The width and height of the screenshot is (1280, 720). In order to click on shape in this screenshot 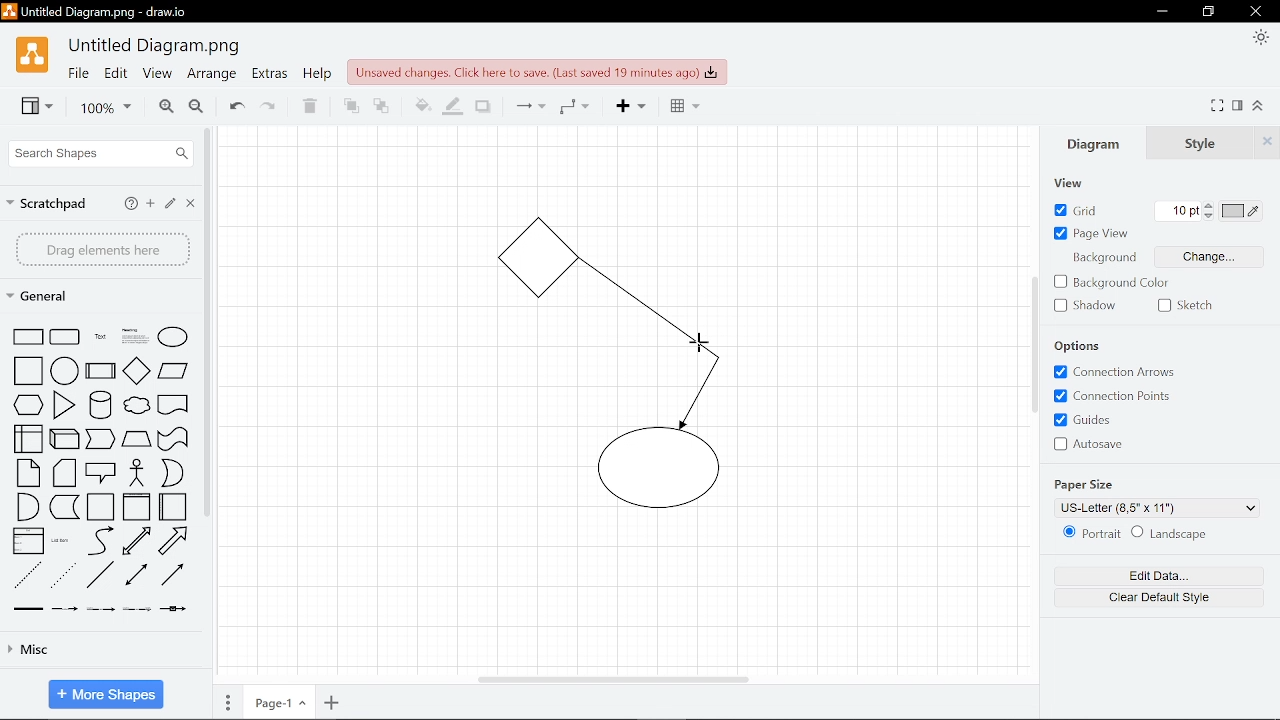, I will do `click(140, 408)`.